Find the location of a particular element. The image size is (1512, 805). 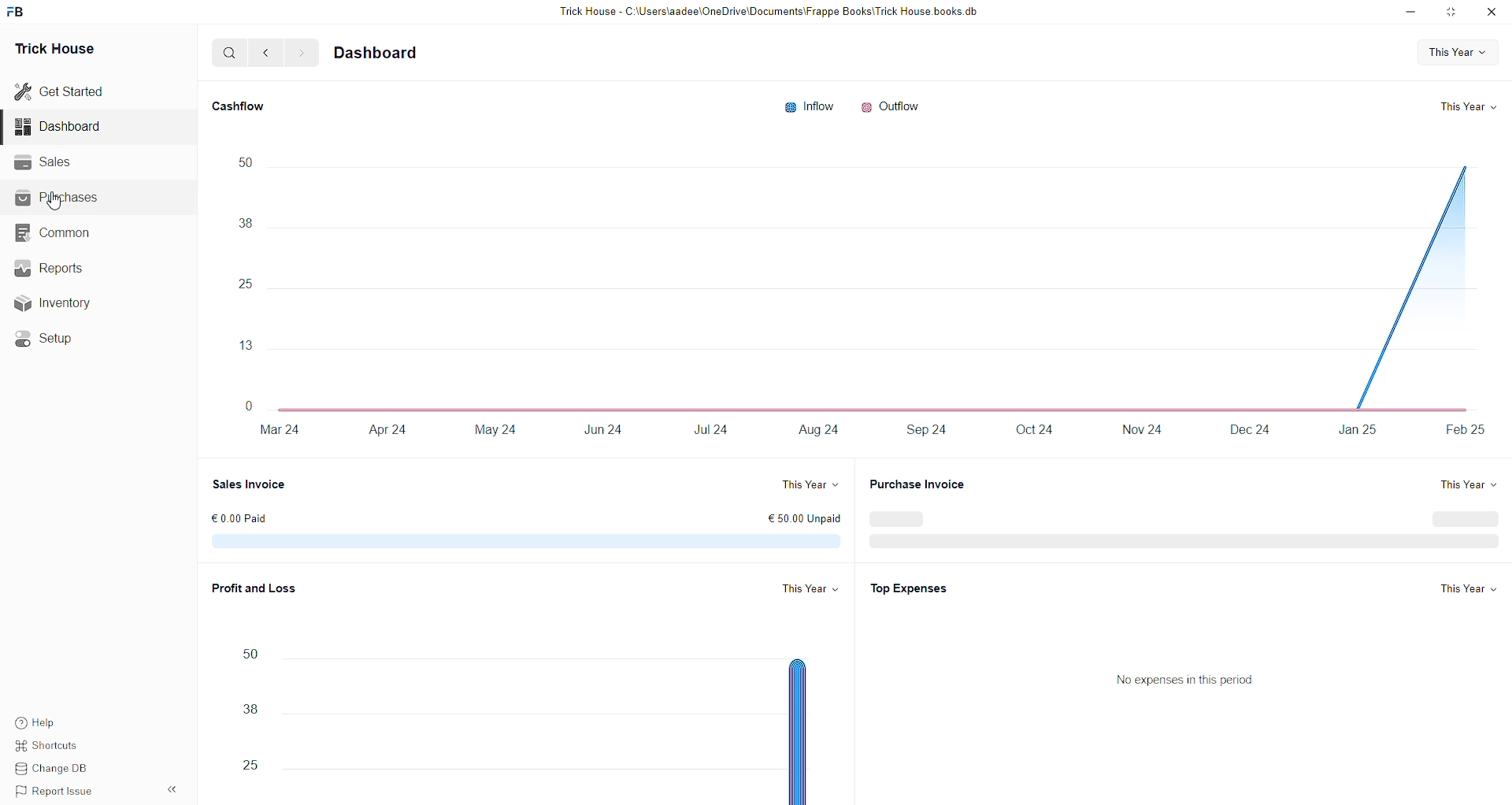

Trick House - C:\Users\aadee\OneDrive\Documents\Frappe Books! Trick House books.db. is located at coordinates (773, 12).